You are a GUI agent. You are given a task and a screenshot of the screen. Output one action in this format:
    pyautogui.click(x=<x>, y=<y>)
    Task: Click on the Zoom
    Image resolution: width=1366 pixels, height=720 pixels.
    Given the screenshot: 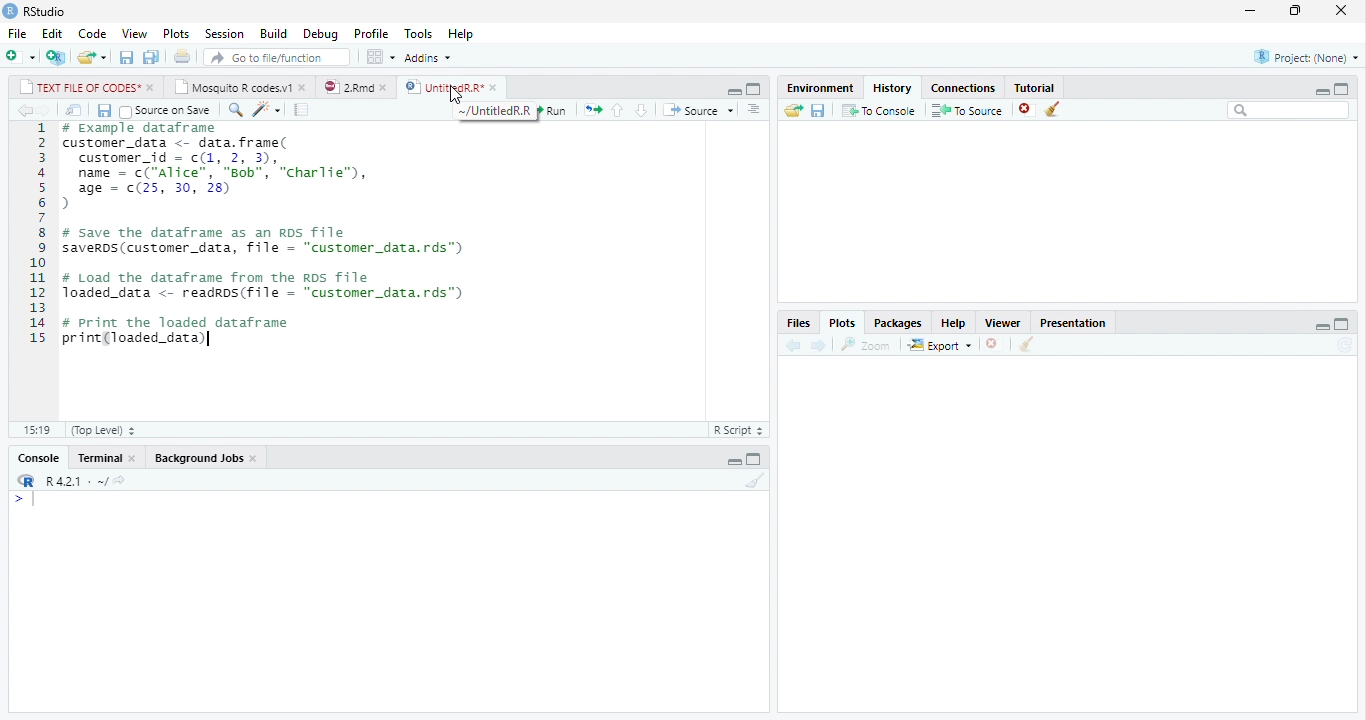 What is the action you would take?
    pyautogui.click(x=866, y=345)
    